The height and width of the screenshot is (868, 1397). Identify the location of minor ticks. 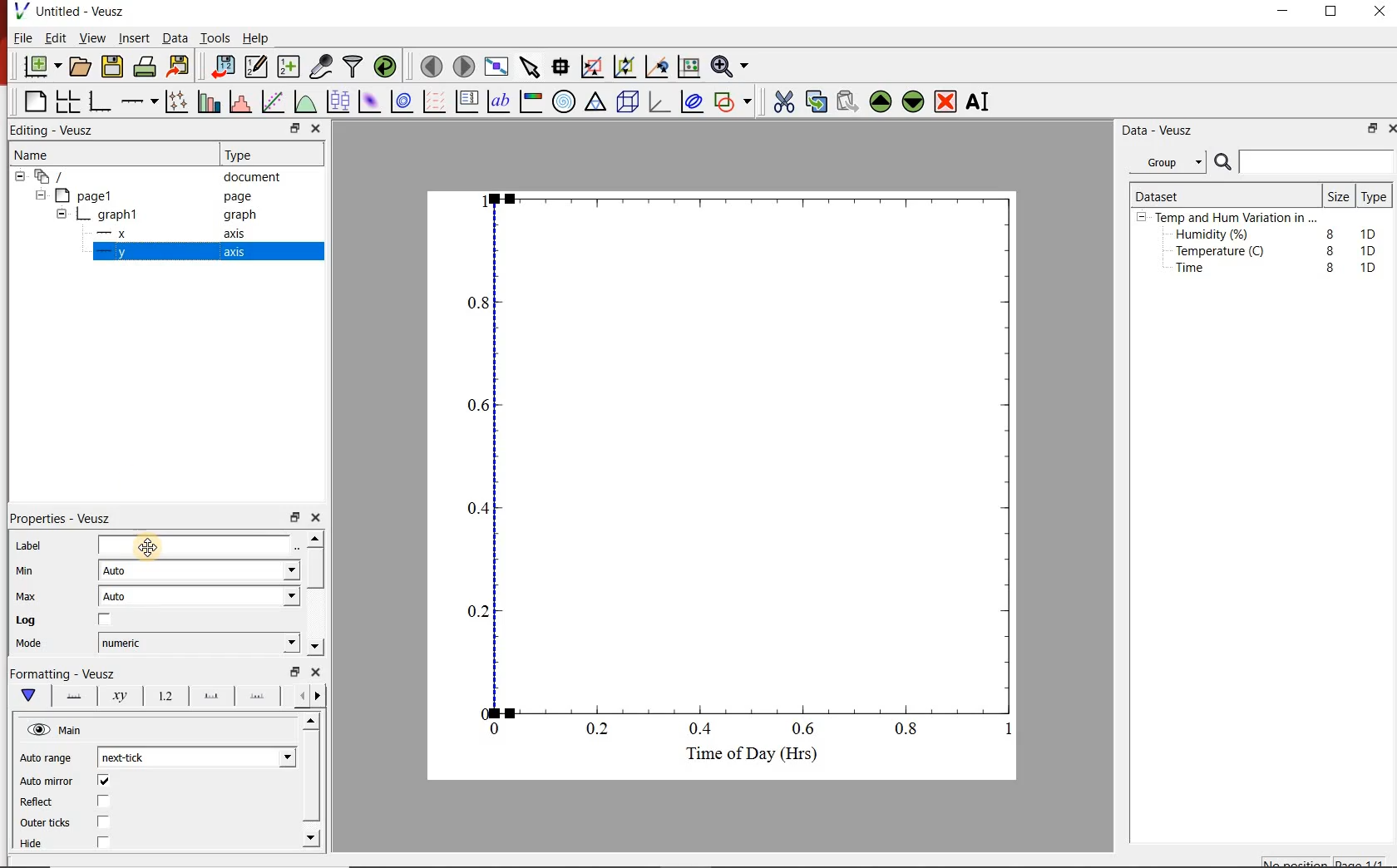
(259, 697).